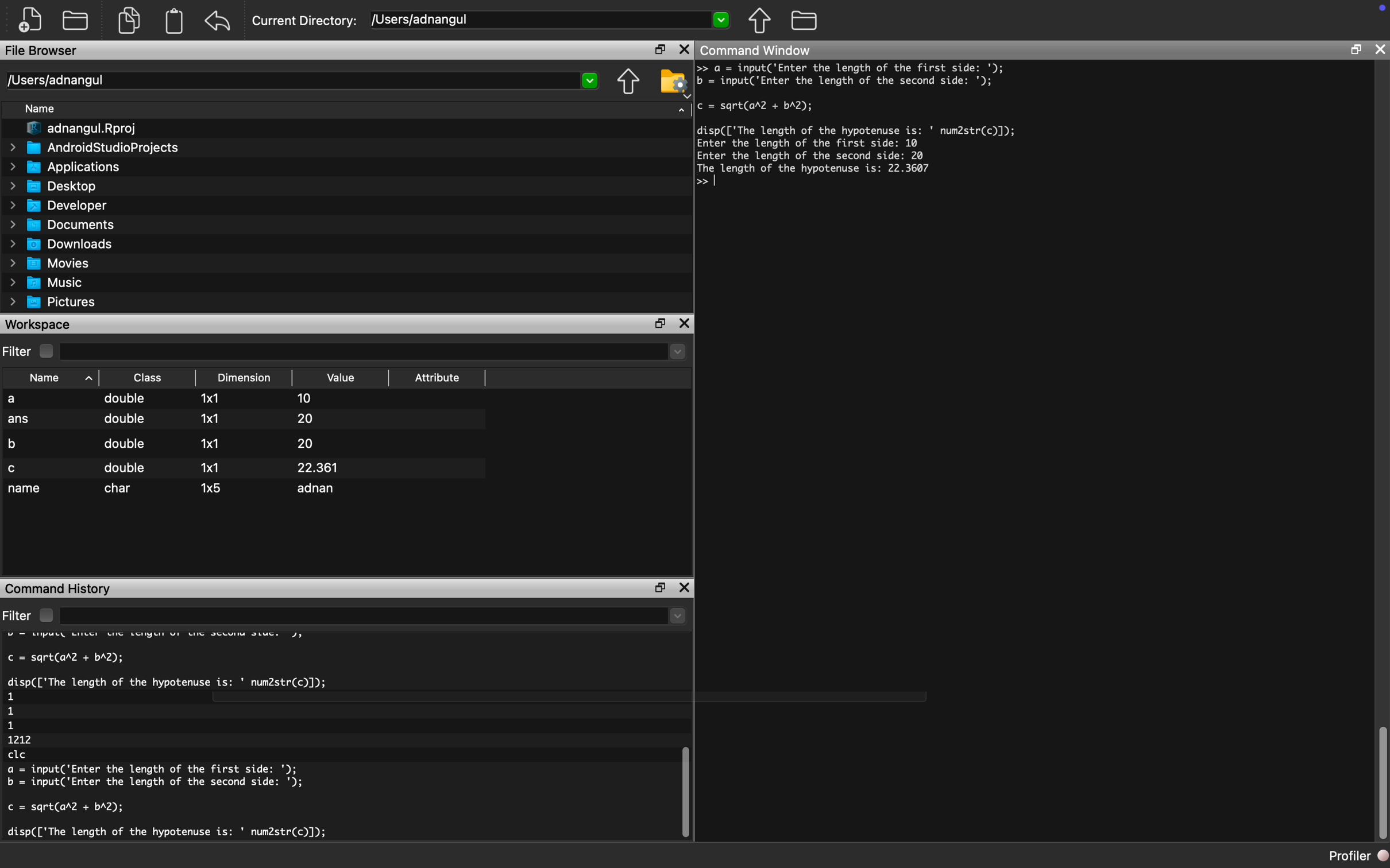 The height and width of the screenshot is (868, 1390). I want to click on vertical scroll bar, so click(1382, 784).